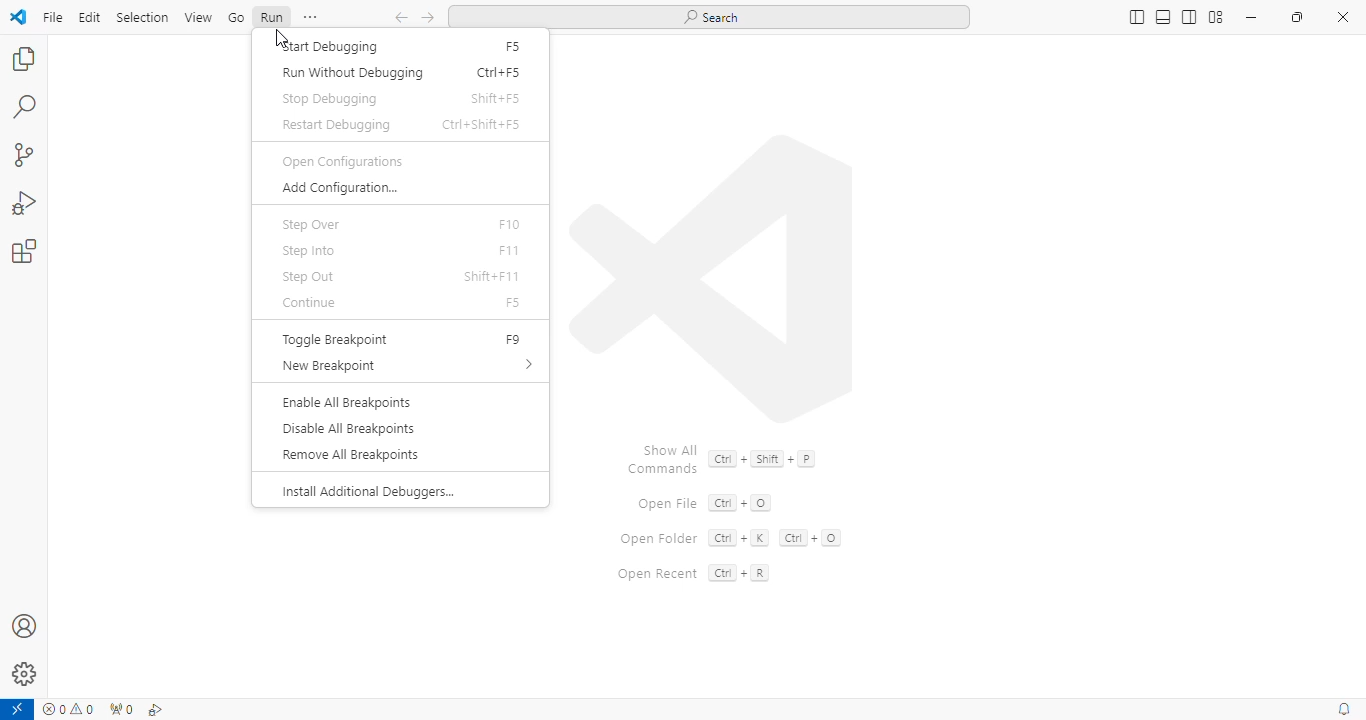 This screenshot has width=1366, height=720. What do you see at coordinates (668, 505) in the screenshot?
I see `open file` at bounding box center [668, 505].